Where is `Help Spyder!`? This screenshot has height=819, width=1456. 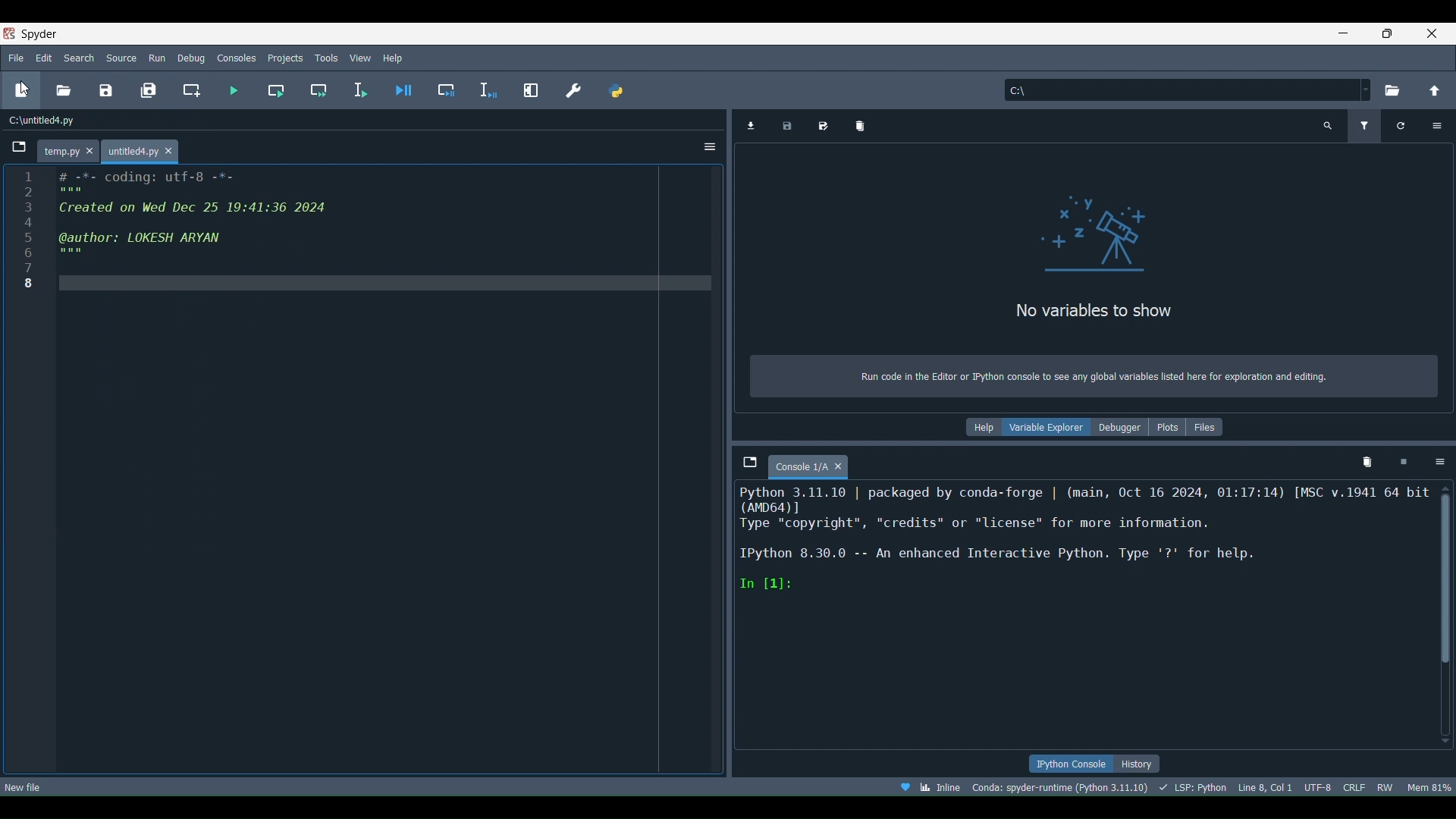 Help Spyder! is located at coordinates (906, 787).